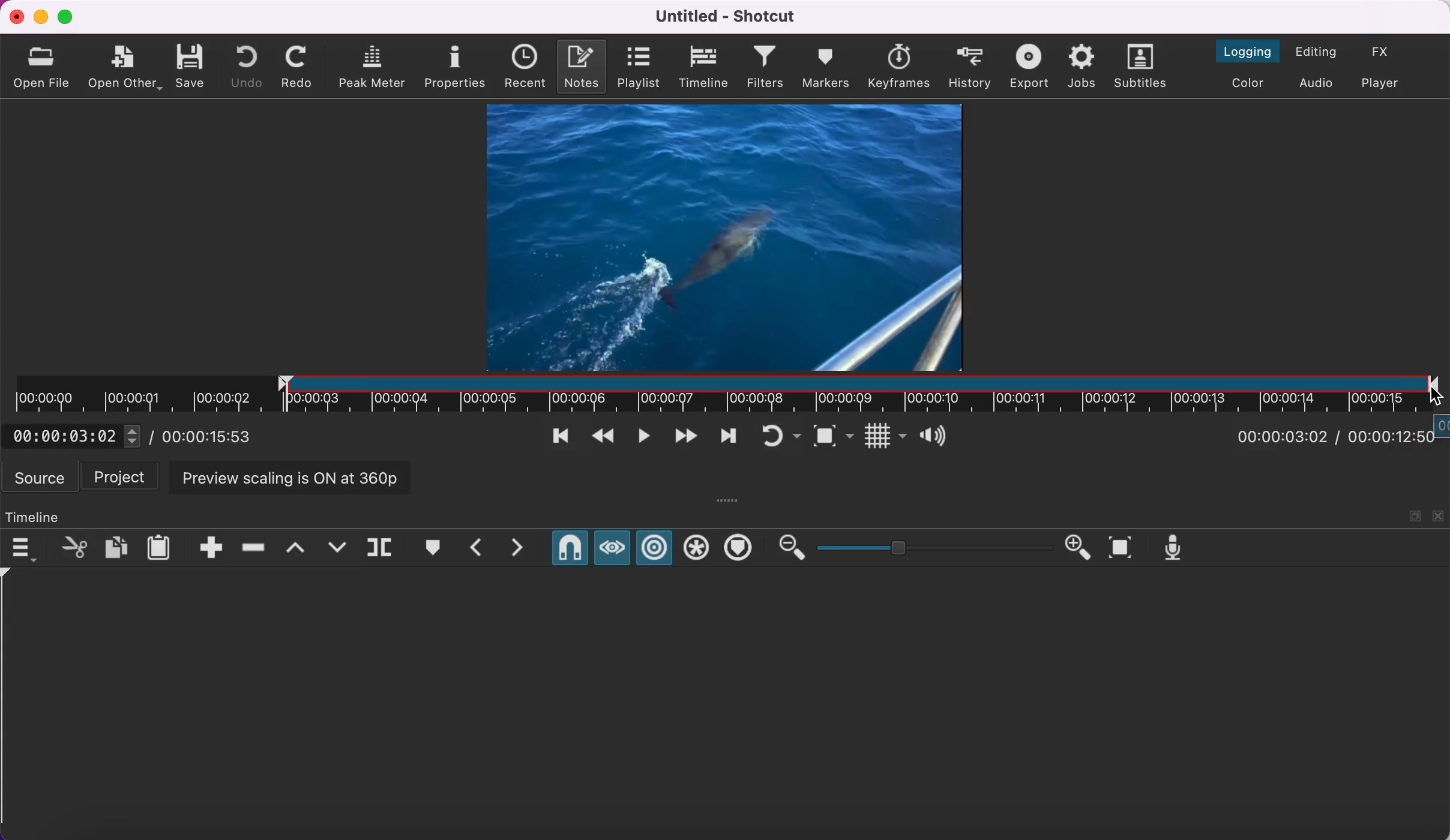 The width and height of the screenshot is (1450, 840). What do you see at coordinates (655, 547) in the screenshot?
I see `ripple` at bounding box center [655, 547].